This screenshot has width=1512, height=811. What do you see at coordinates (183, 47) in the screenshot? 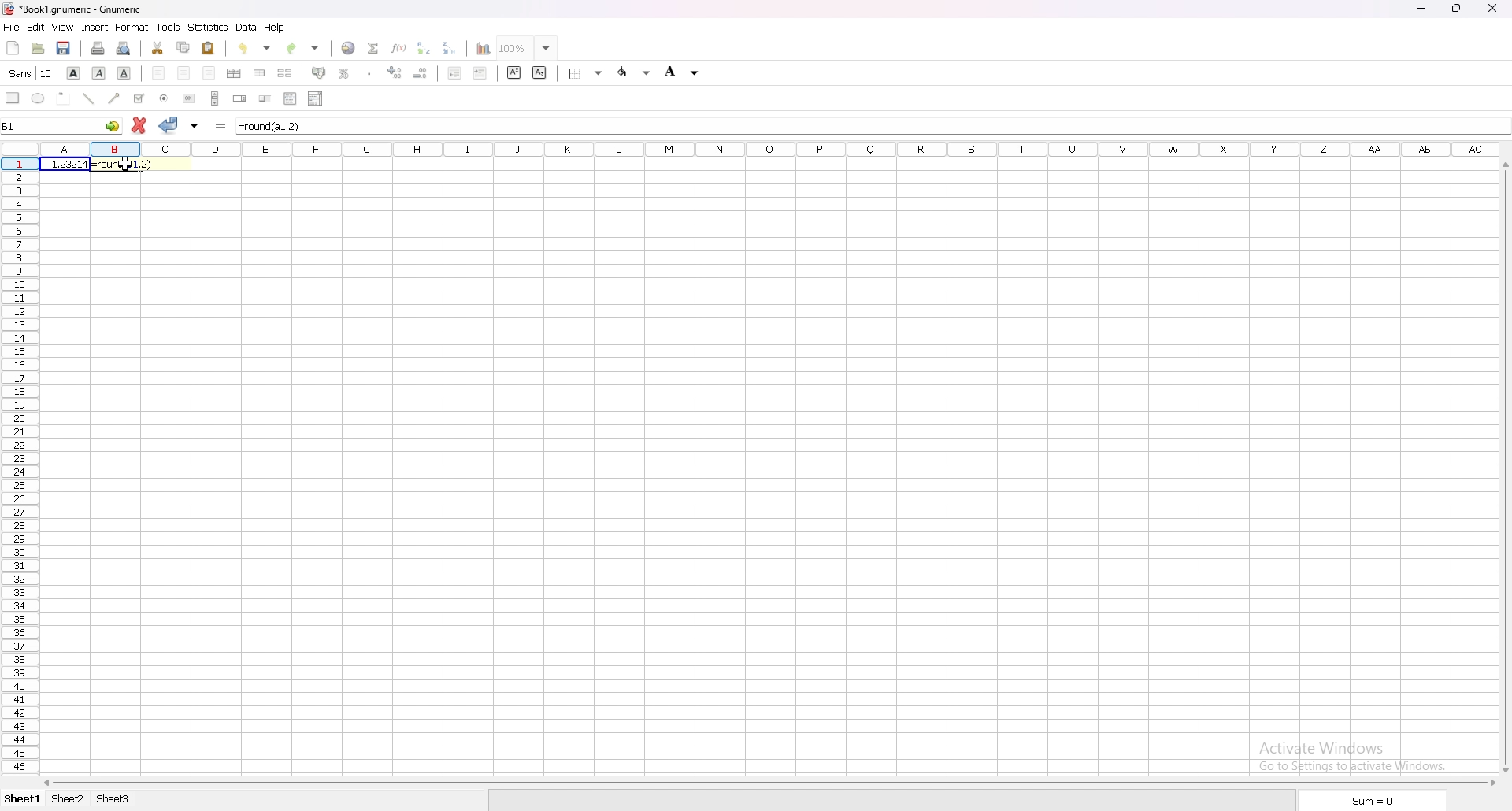
I see `copy` at bounding box center [183, 47].